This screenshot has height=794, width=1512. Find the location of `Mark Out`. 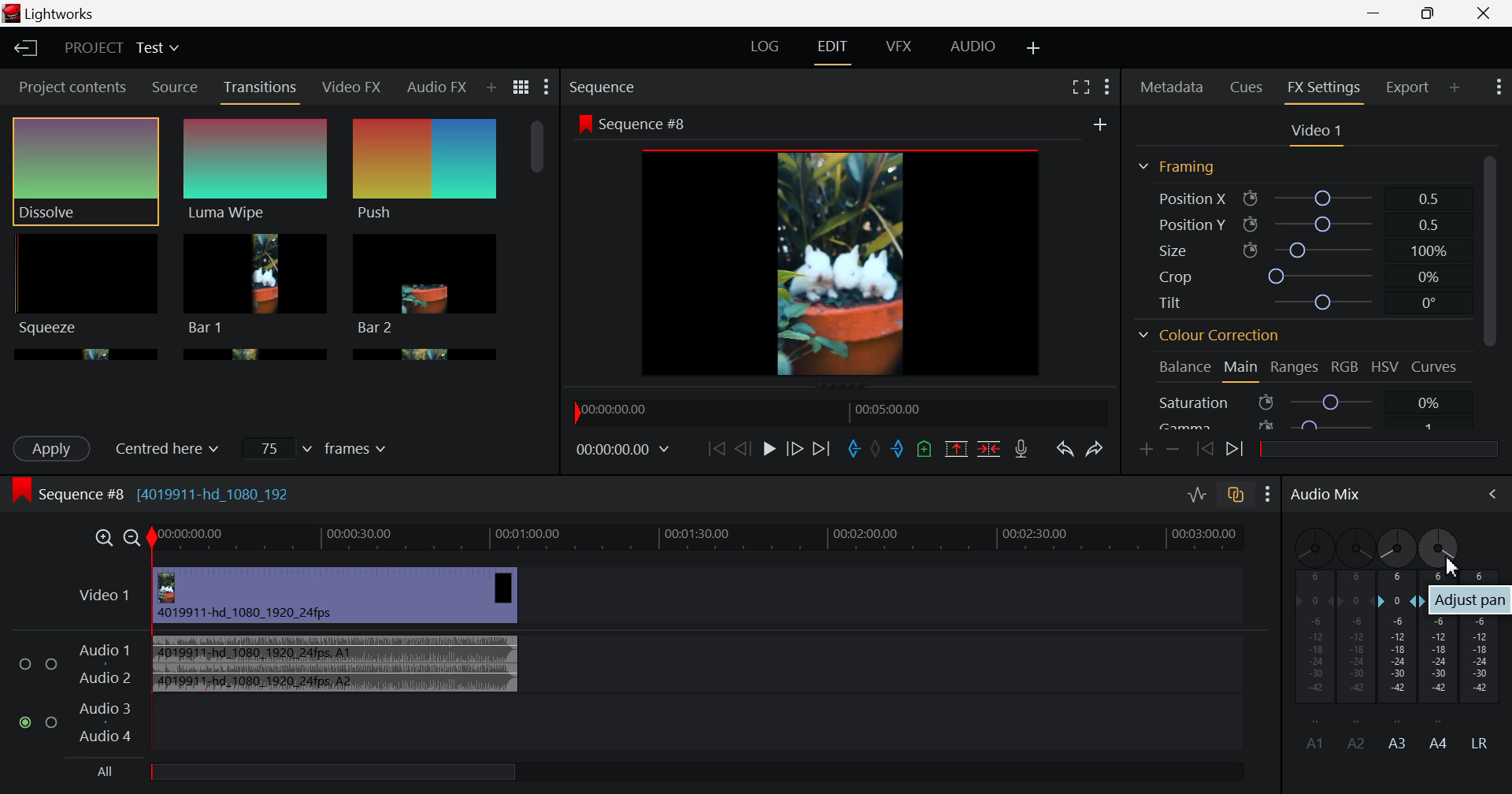

Mark Out is located at coordinates (898, 449).